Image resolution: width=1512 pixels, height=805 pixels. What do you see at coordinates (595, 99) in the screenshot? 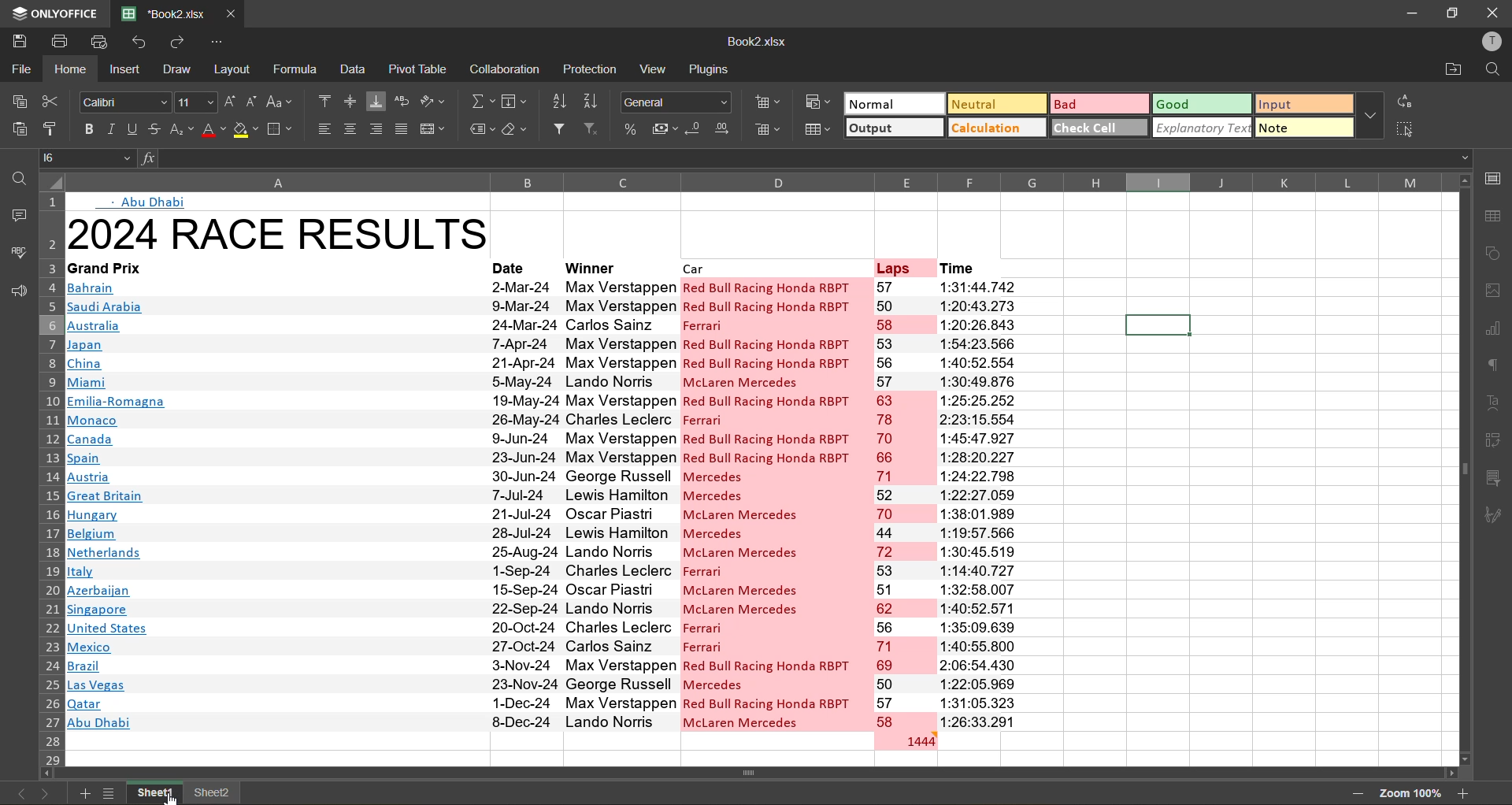
I see `sort descending` at bounding box center [595, 99].